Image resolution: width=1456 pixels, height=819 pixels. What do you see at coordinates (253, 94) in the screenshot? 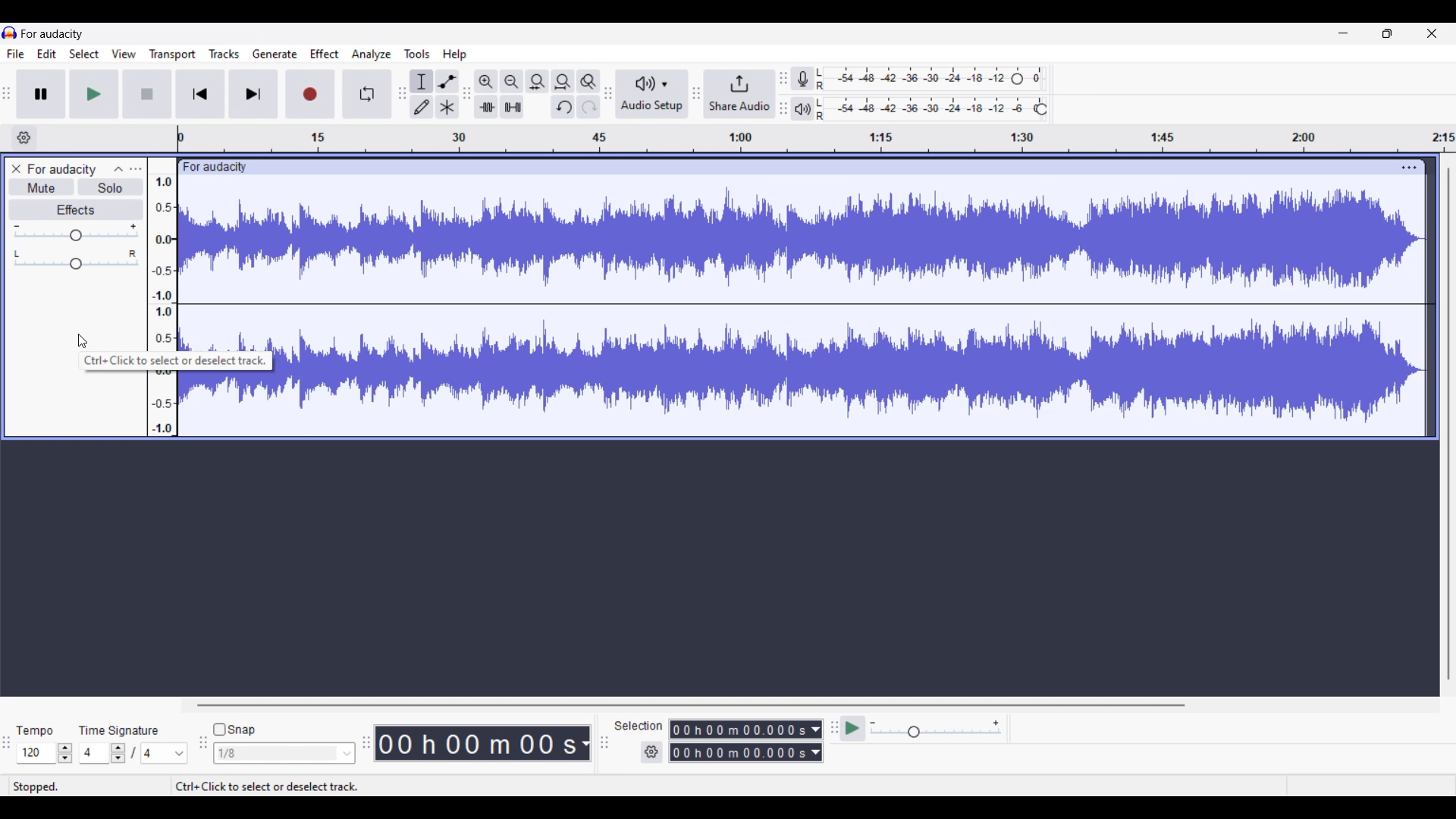
I see `Skip/Select to end` at bounding box center [253, 94].